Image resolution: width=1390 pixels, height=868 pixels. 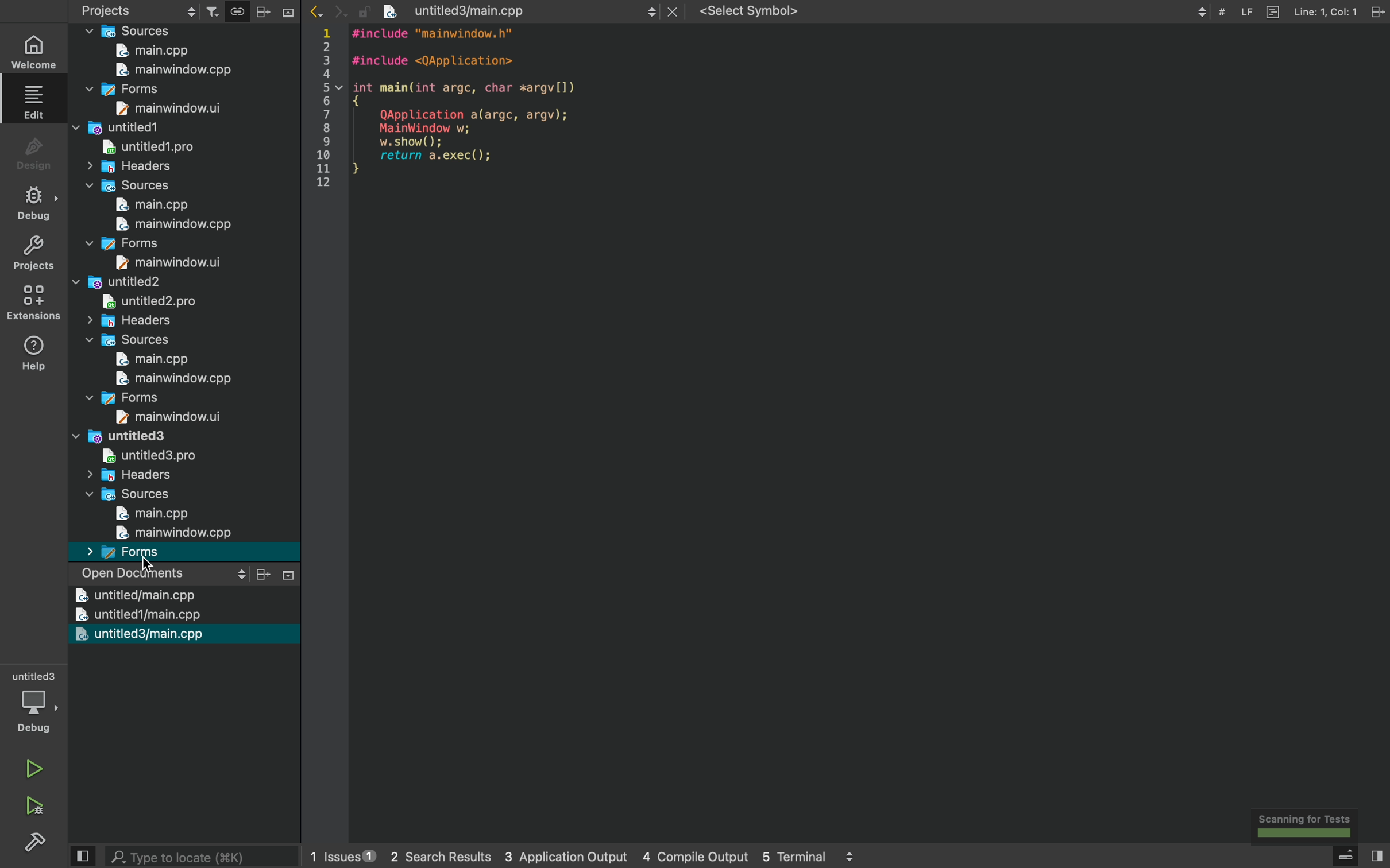 I want to click on files and folder, so click(x=126, y=31).